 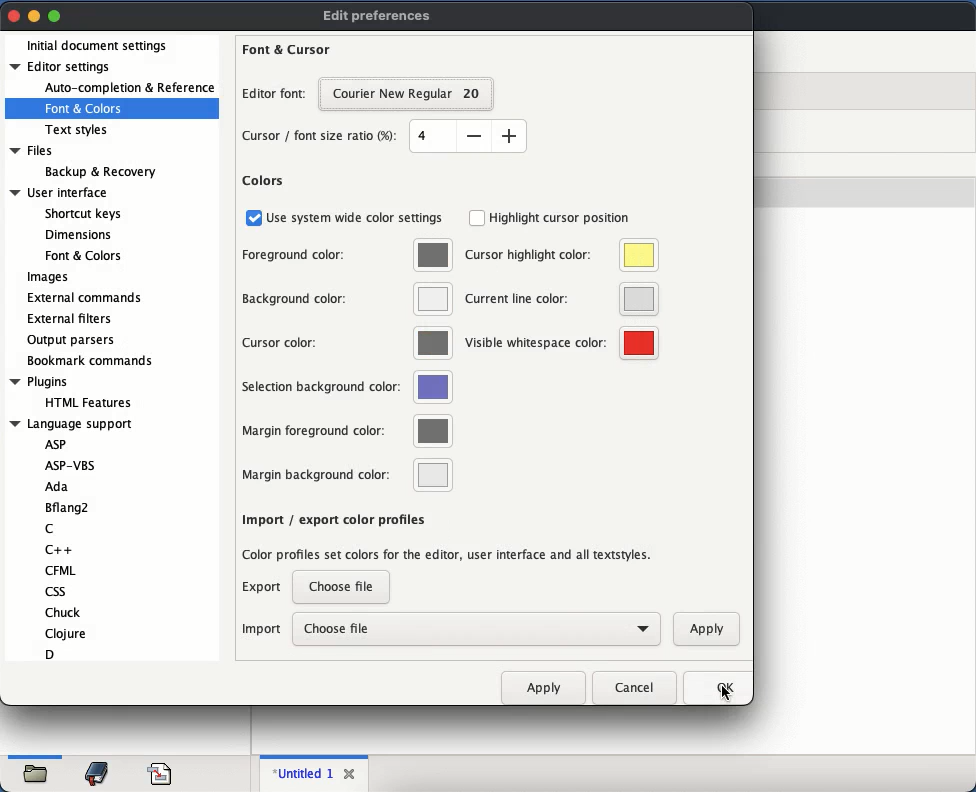 I want to click on Dimensions, so click(x=79, y=235).